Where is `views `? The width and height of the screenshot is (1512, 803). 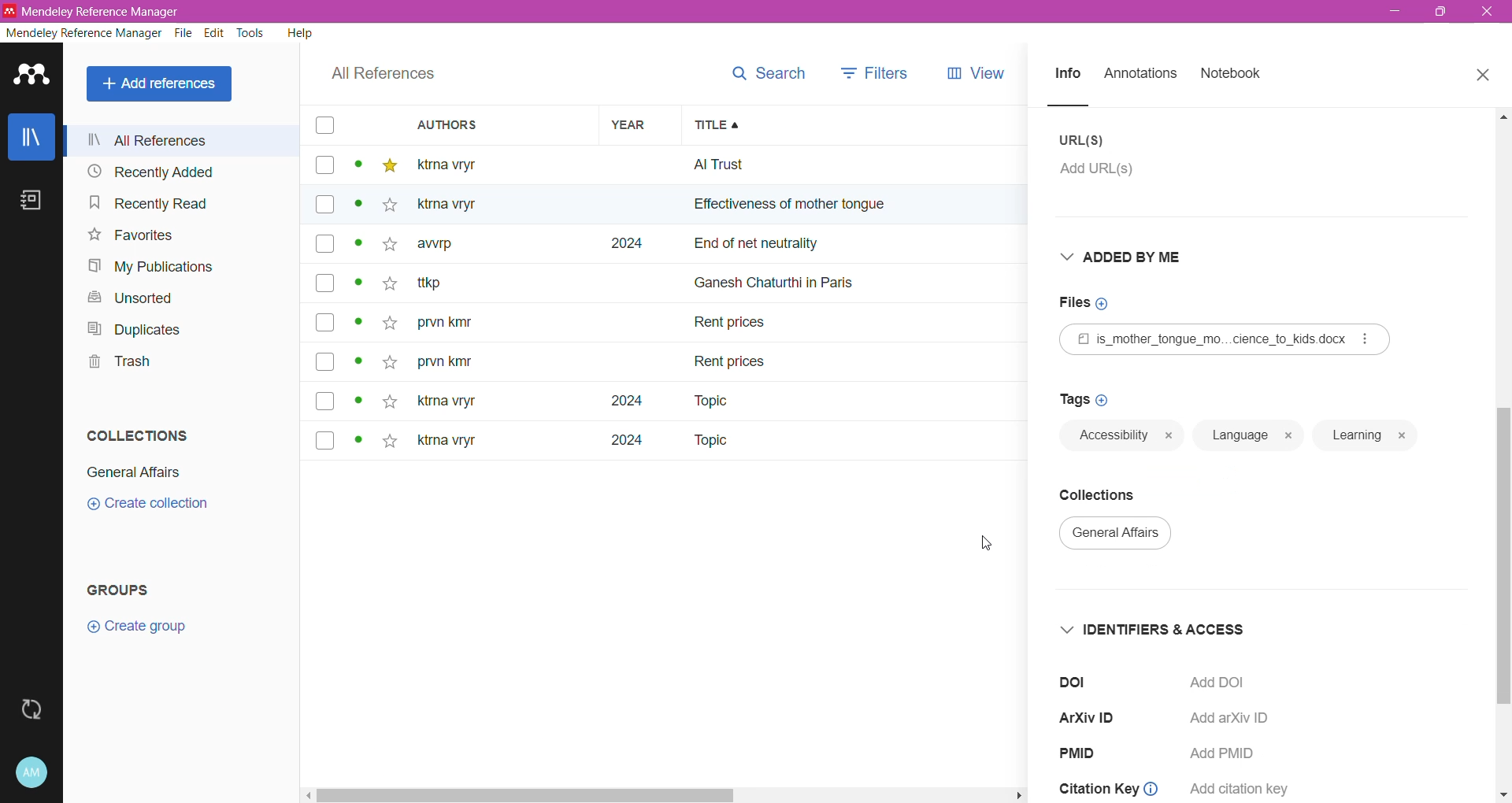
views  is located at coordinates (987, 73).